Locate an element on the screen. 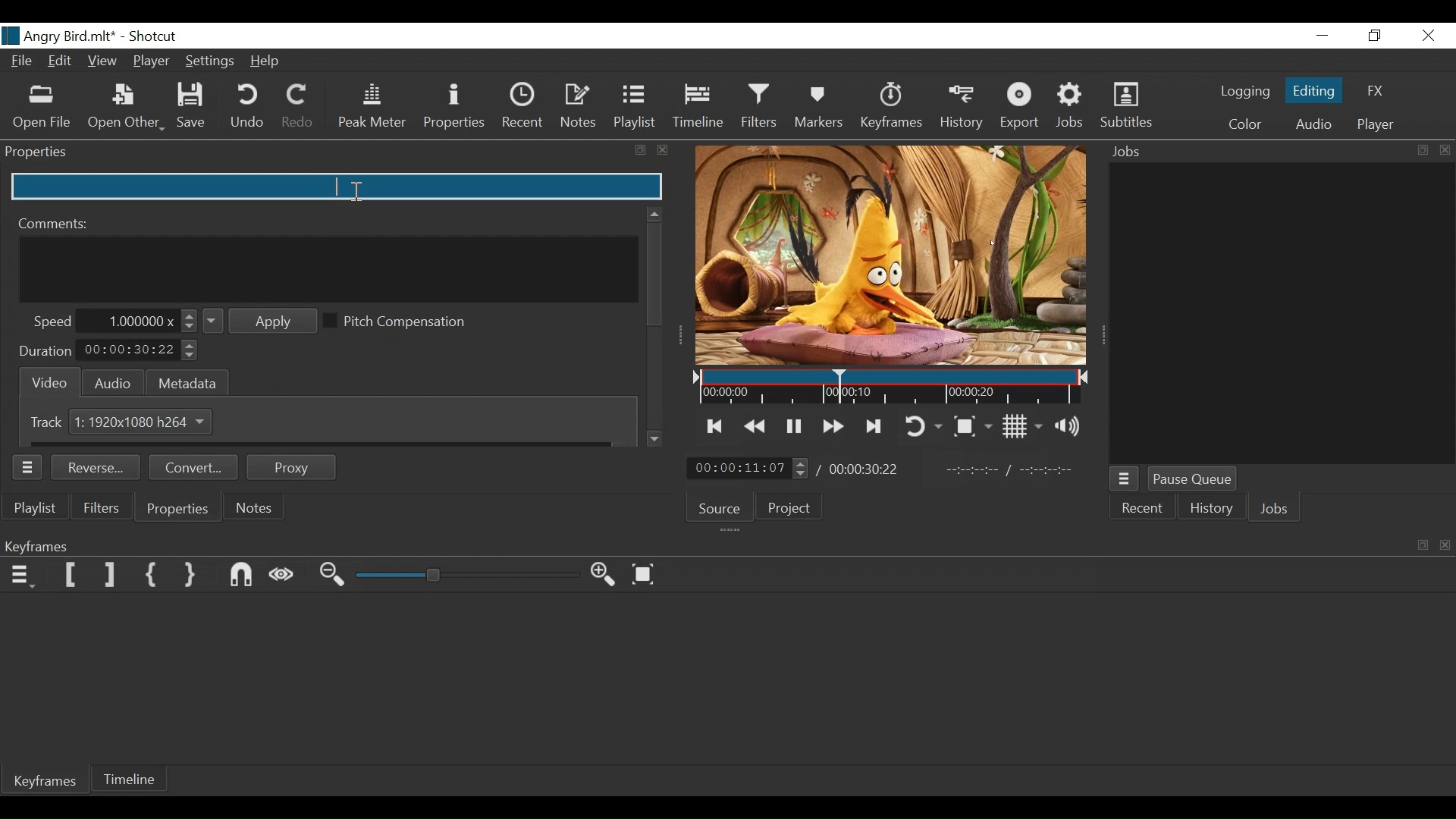  View is located at coordinates (104, 61).